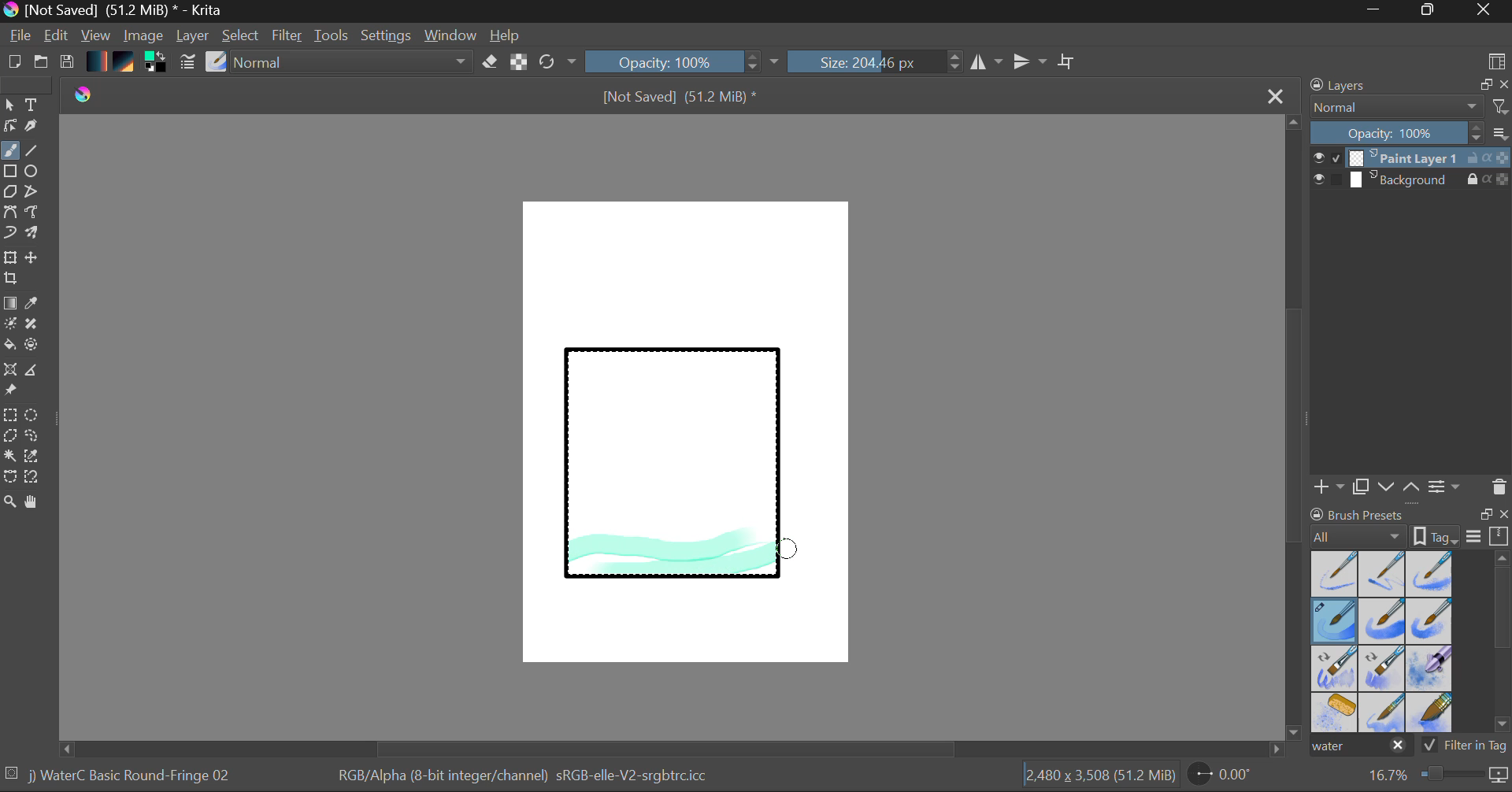  I want to click on Close, so click(1277, 95).